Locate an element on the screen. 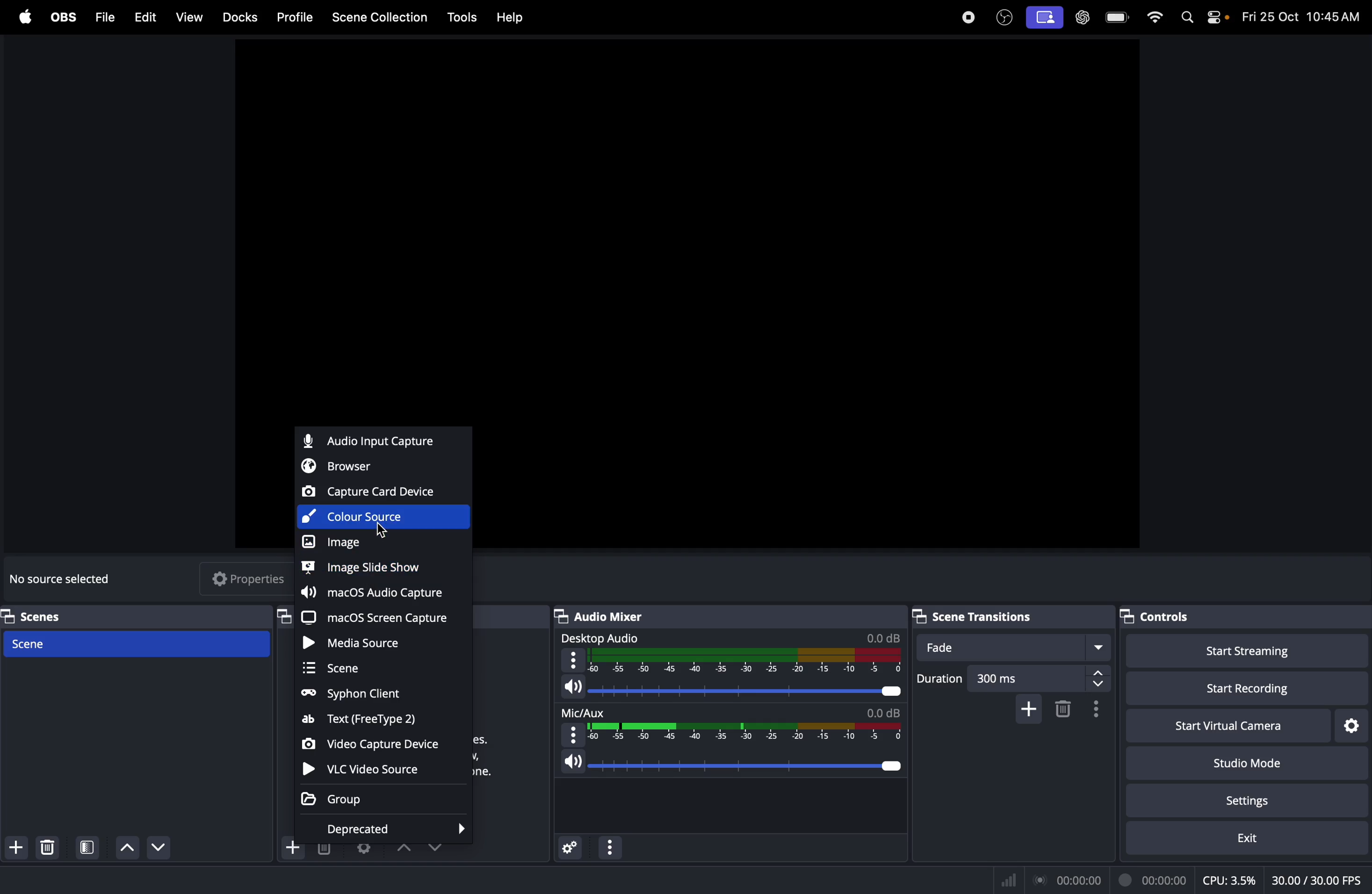  Capture card device is located at coordinates (369, 492).